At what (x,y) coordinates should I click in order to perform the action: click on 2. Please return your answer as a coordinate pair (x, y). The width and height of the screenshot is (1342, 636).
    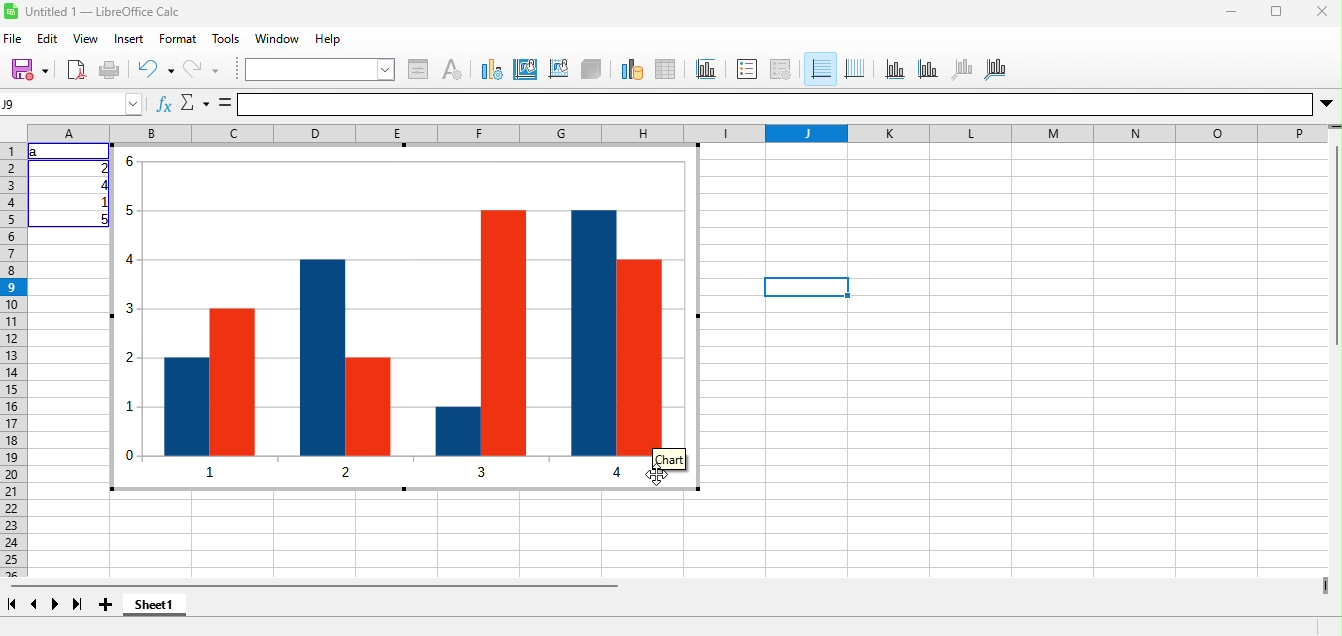
    Looking at the image, I should click on (103, 168).